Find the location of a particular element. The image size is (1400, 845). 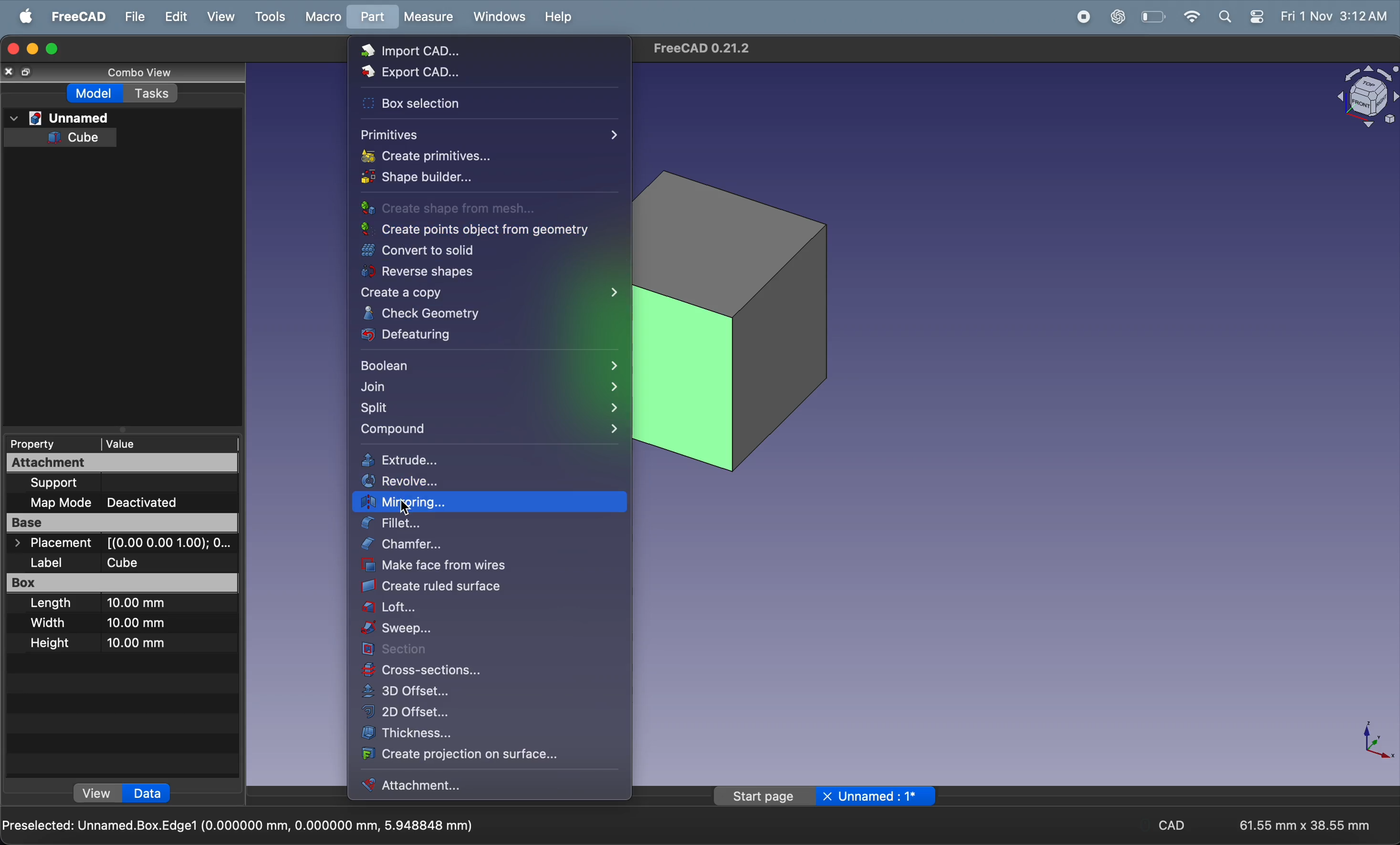

record is located at coordinates (1085, 16).